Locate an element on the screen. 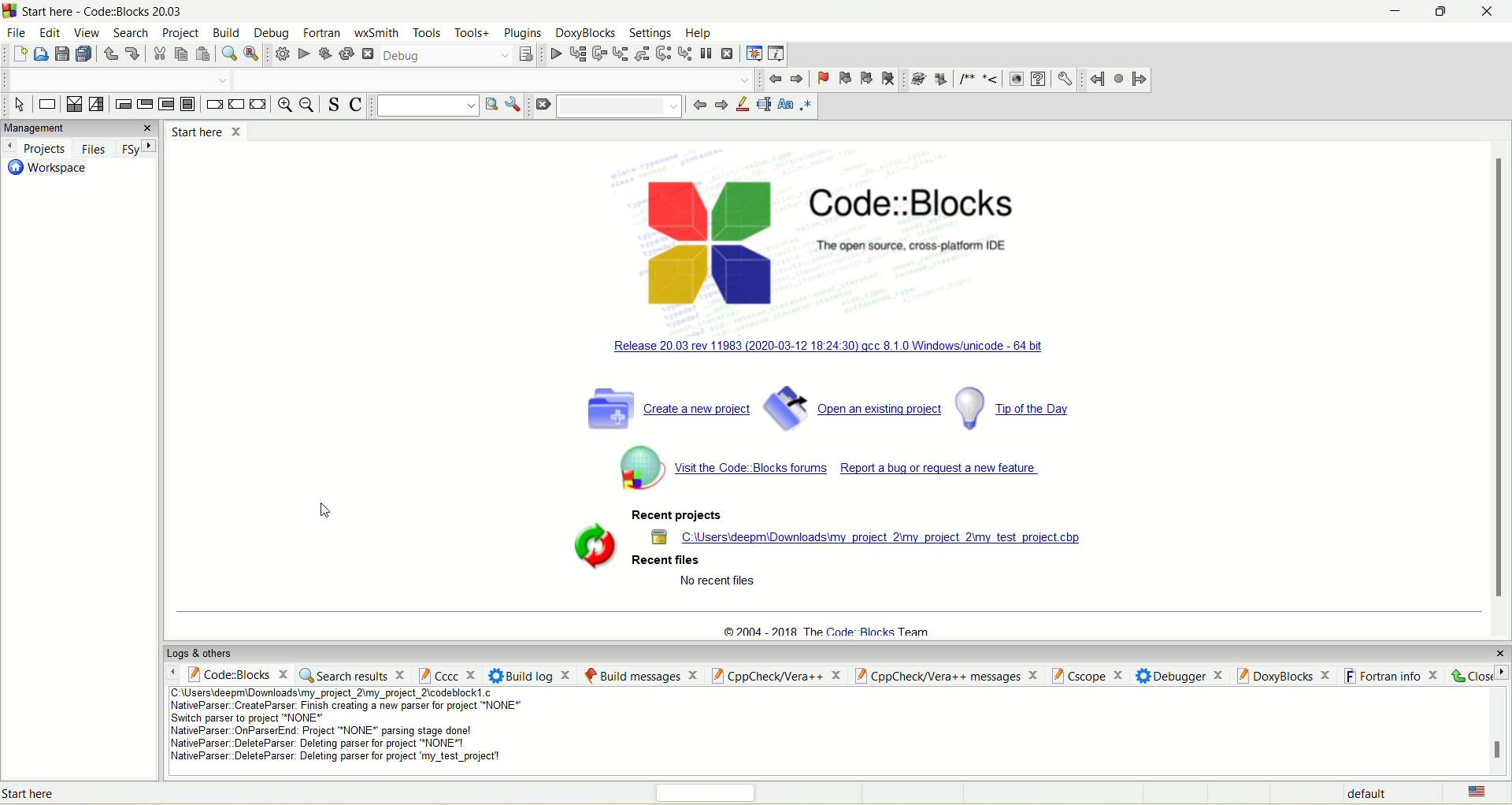 The image size is (1512, 805). report a bug is located at coordinates (953, 473).